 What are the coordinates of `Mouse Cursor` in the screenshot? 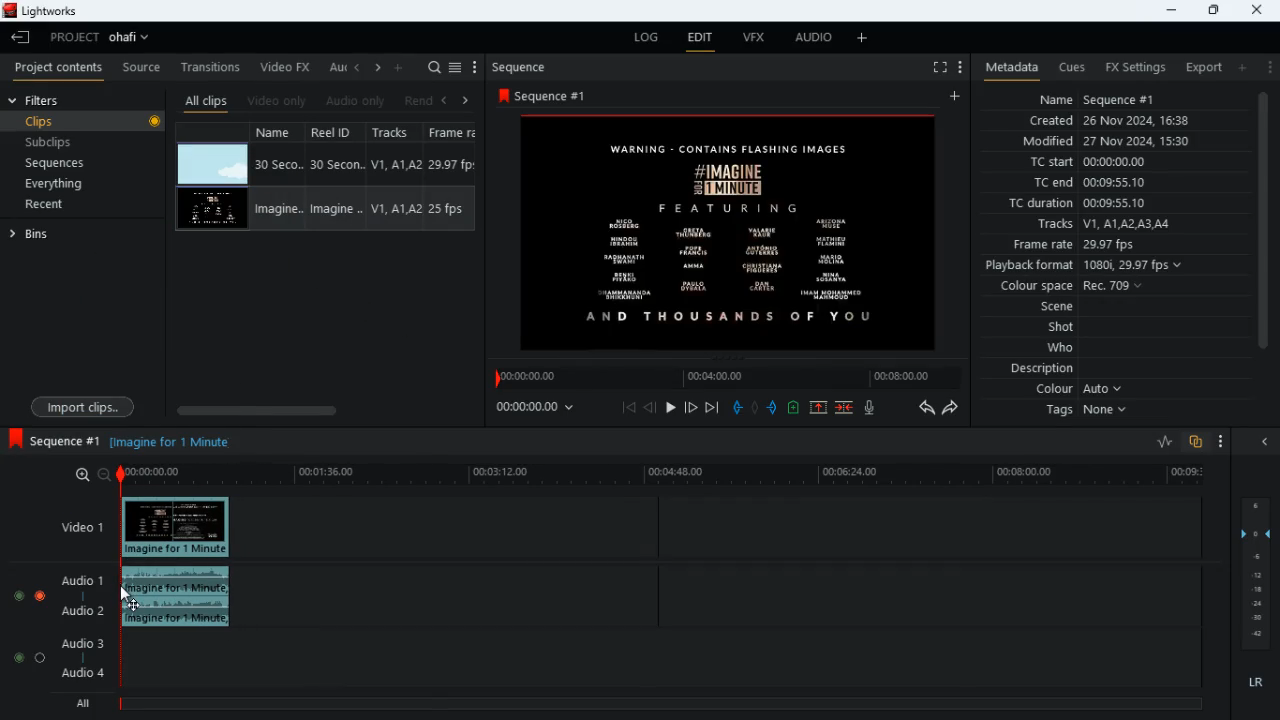 It's located at (137, 592).